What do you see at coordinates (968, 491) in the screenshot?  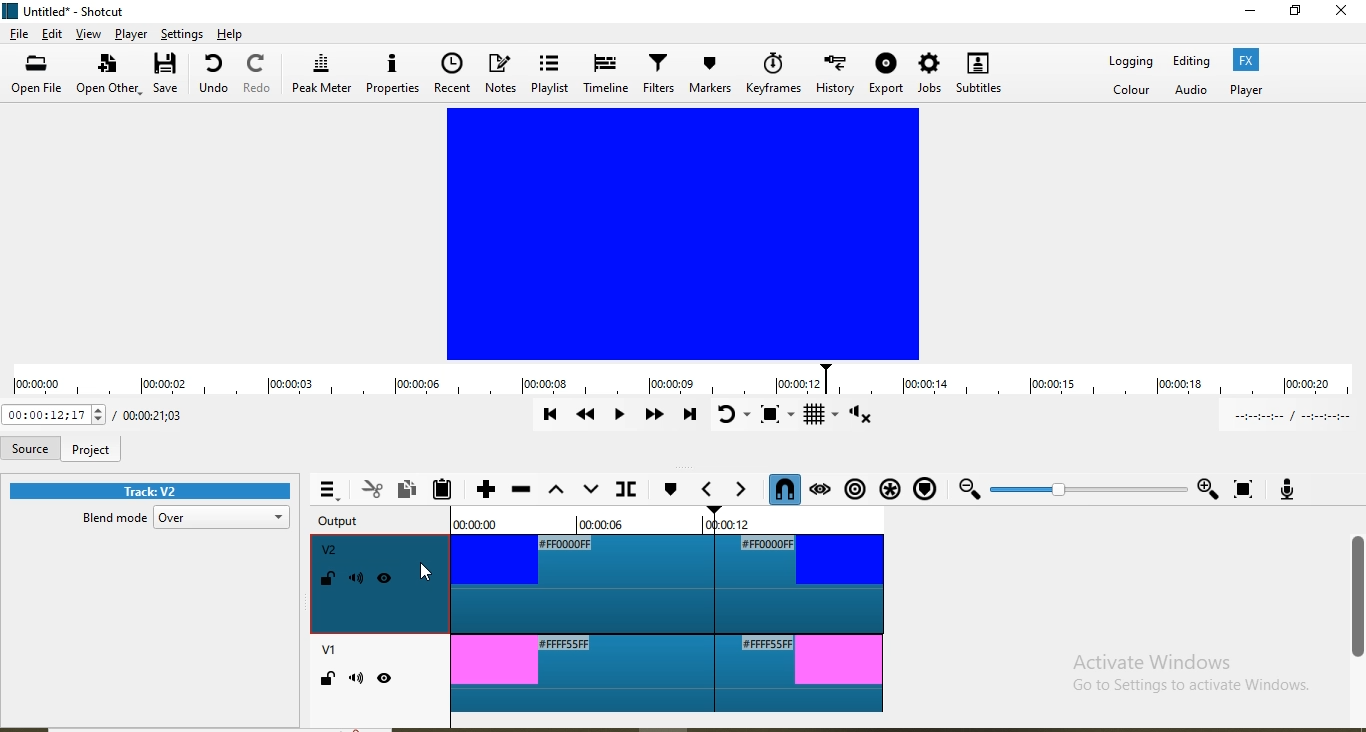 I see `Zoom out` at bounding box center [968, 491].